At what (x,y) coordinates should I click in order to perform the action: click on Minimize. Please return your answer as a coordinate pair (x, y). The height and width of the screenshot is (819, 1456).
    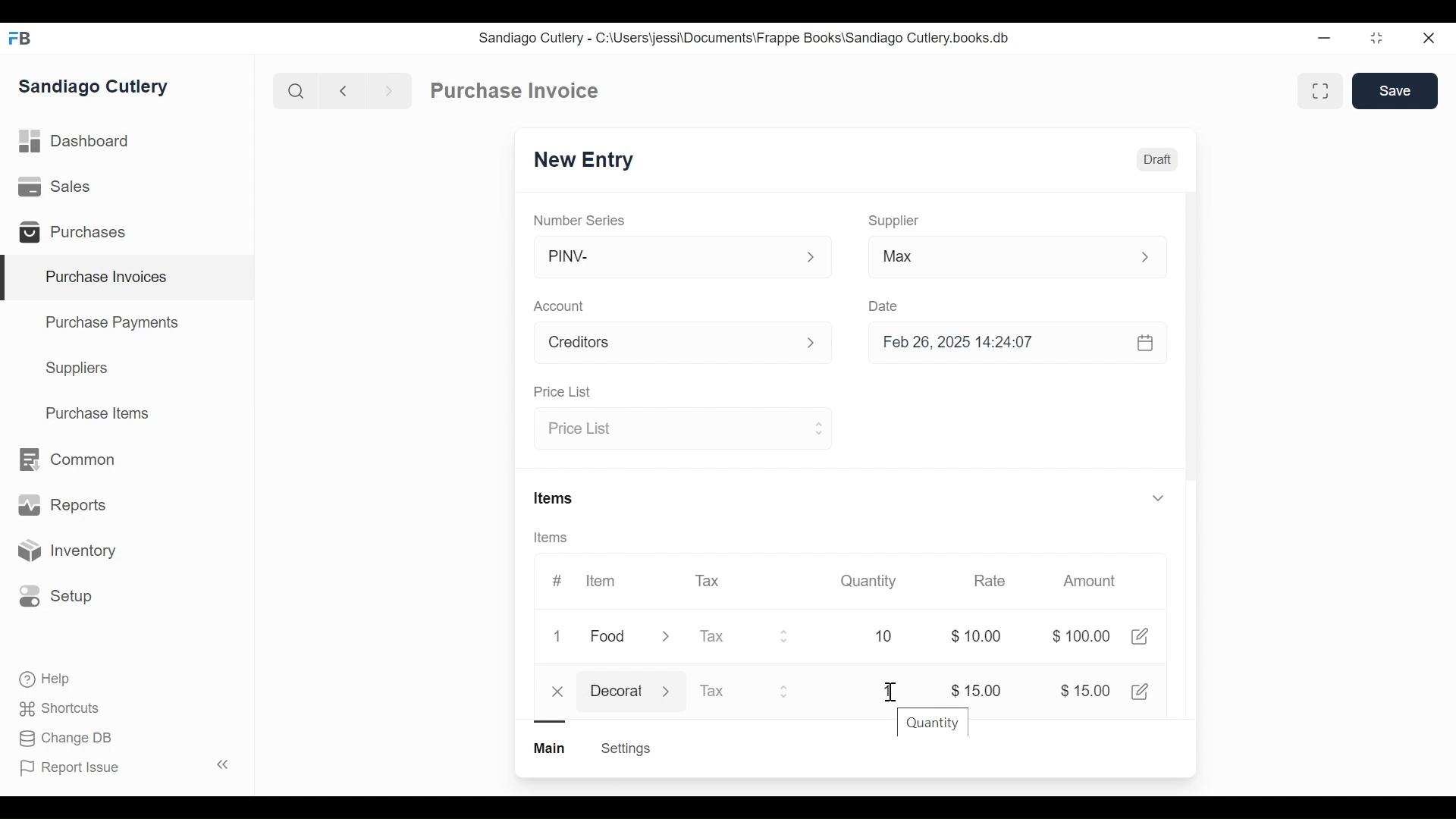
    Looking at the image, I should click on (1321, 39).